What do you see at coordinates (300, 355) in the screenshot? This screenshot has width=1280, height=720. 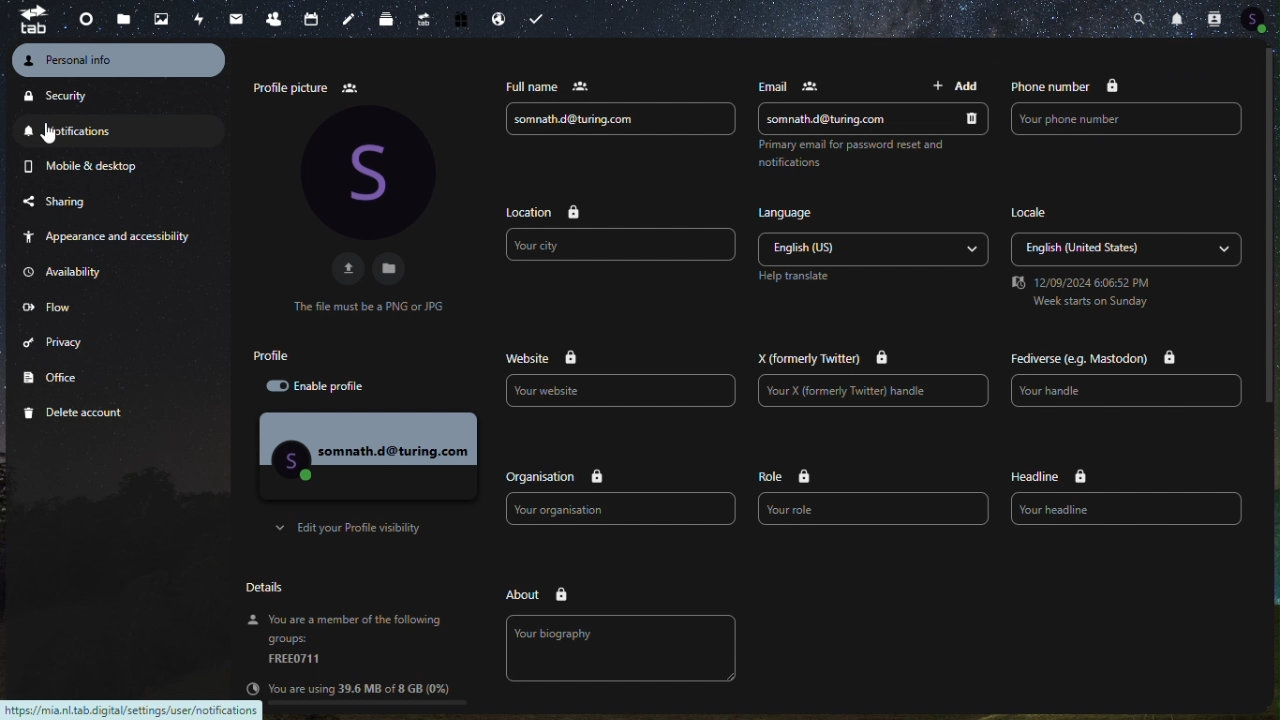 I see `profile` at bounding box center [300, 355].